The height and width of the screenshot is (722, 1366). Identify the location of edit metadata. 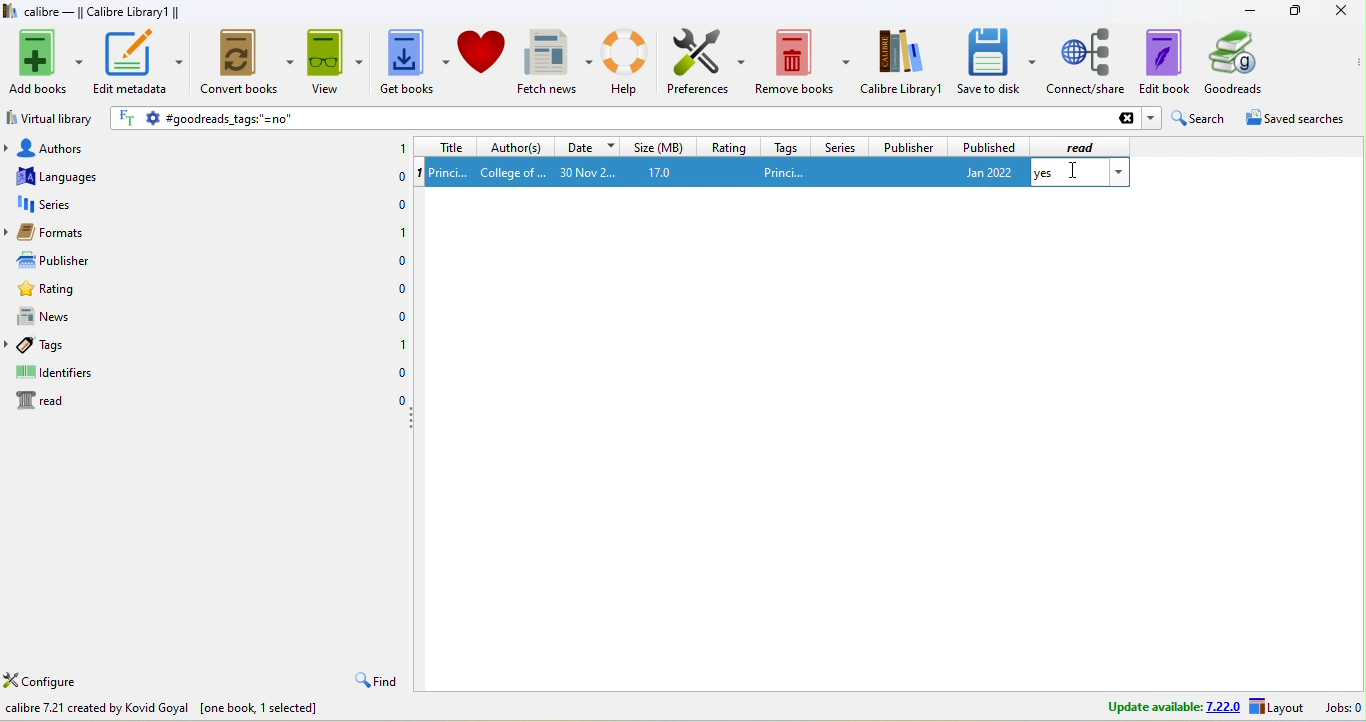
(138, 63).